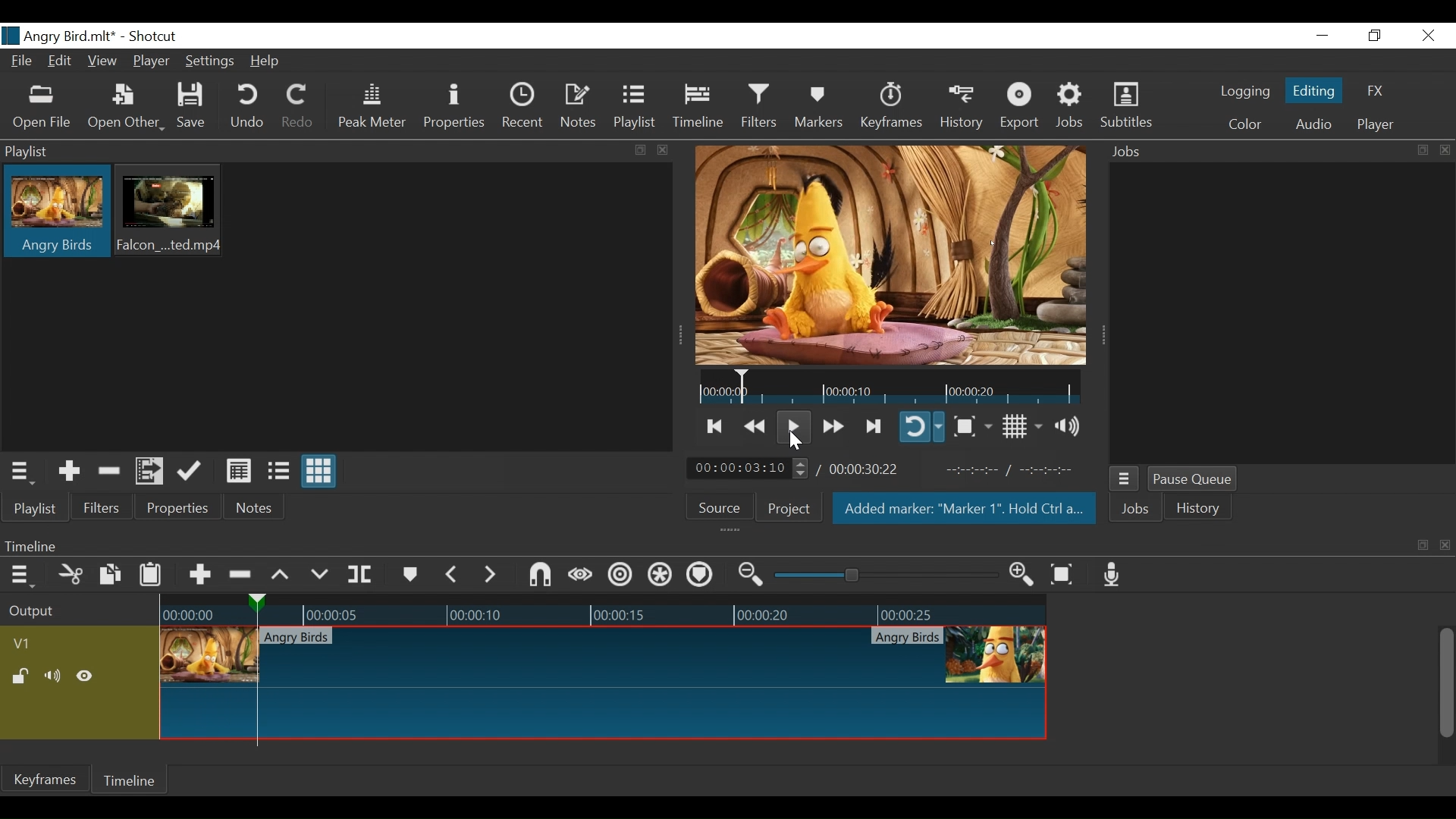 The height and width of the screenshot is (819, 1456). What do you see at coordinates (895, 387) in the screenshot?
I see `thumbnail` at bounding box center [895, 387].